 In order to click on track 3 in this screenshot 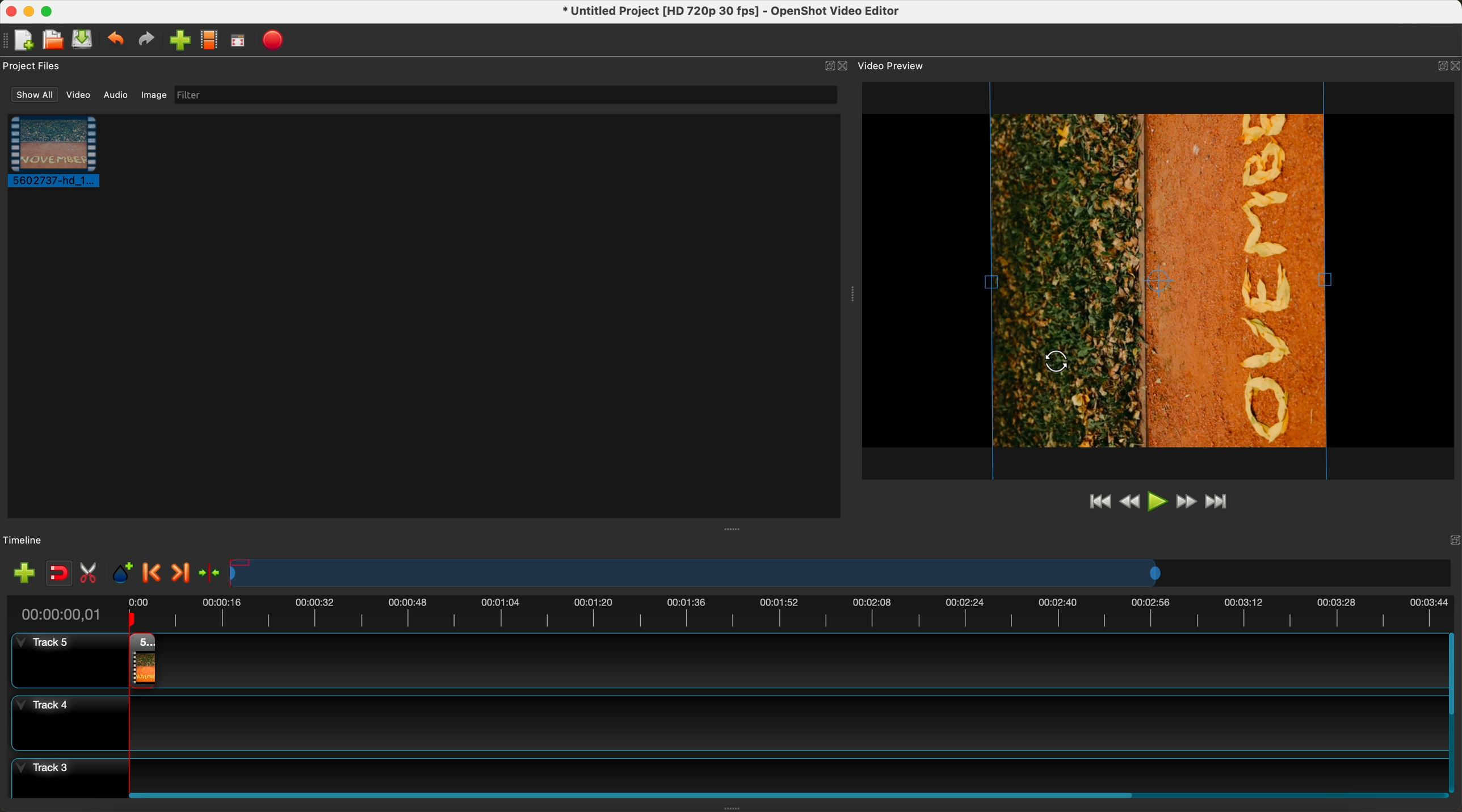, I will do `click(725, 772)`.